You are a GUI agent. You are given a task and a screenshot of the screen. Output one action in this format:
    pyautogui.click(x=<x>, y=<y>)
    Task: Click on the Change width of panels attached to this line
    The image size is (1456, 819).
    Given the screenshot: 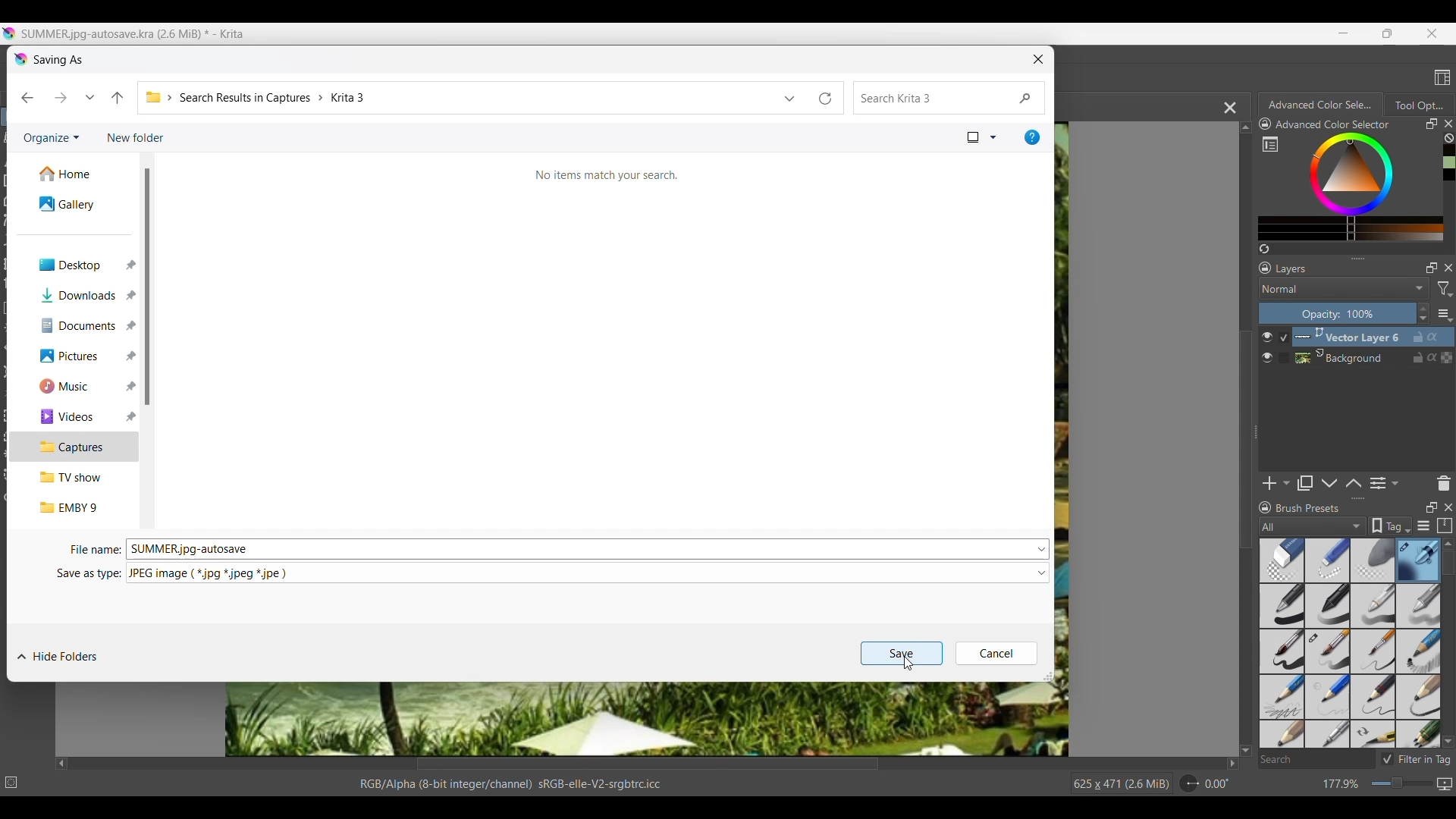 What is the action you would take?
    pyautogui.click(x=1254, y=453)
    